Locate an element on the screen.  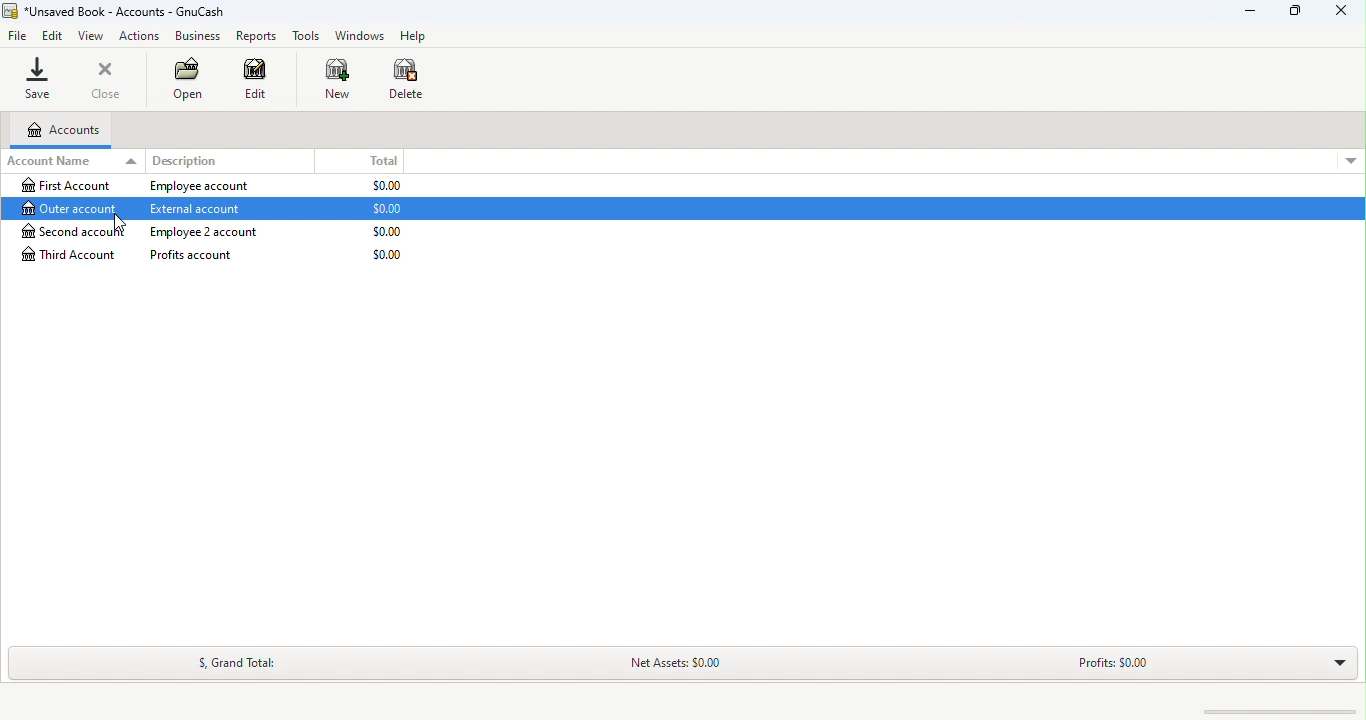
Delete is located at coordinates (414, 84).